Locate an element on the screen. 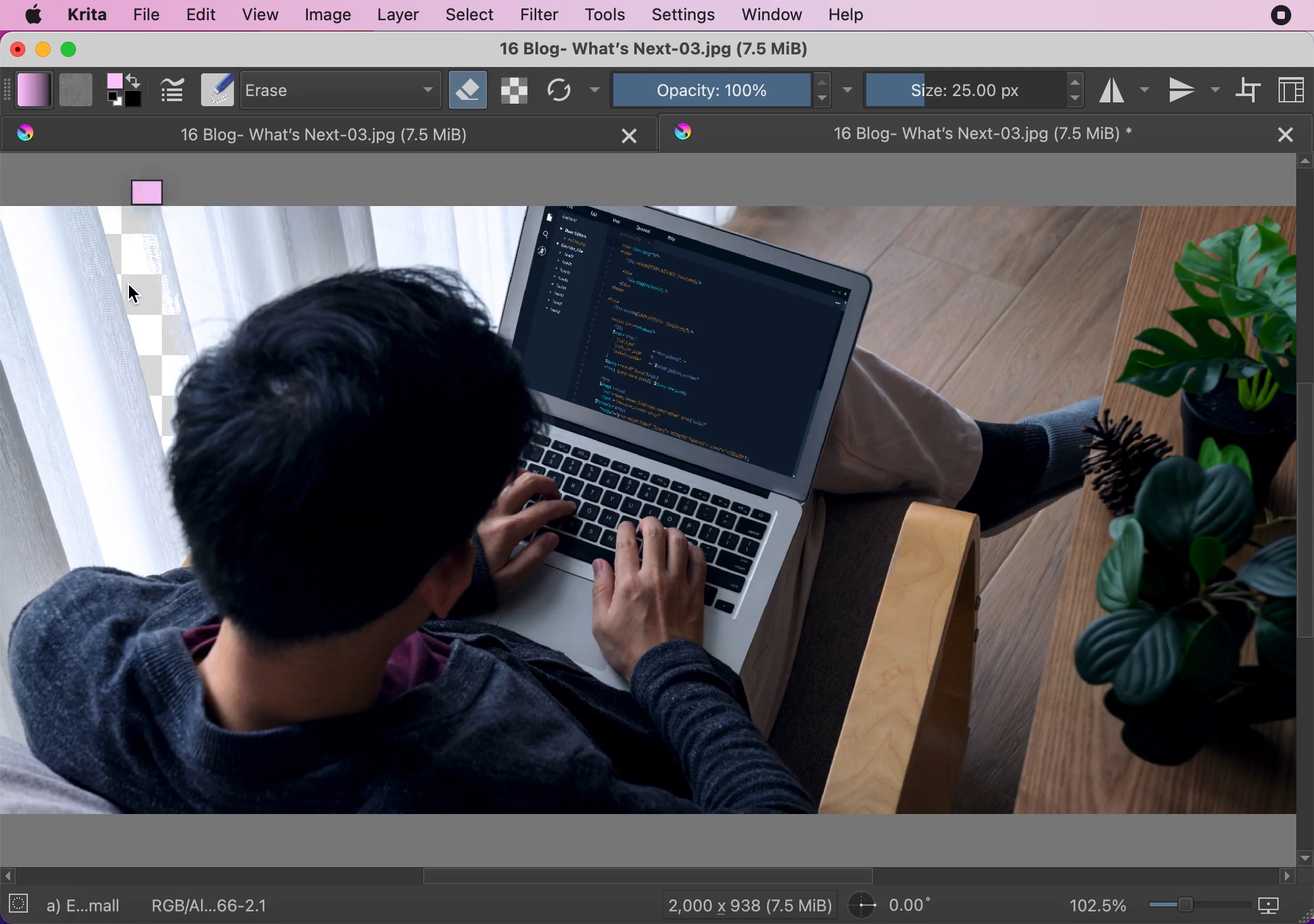 This screenshot has height=924, width=1314. map the displayed canvas size between pixel size or print size is located at coordinates (1275, 905).